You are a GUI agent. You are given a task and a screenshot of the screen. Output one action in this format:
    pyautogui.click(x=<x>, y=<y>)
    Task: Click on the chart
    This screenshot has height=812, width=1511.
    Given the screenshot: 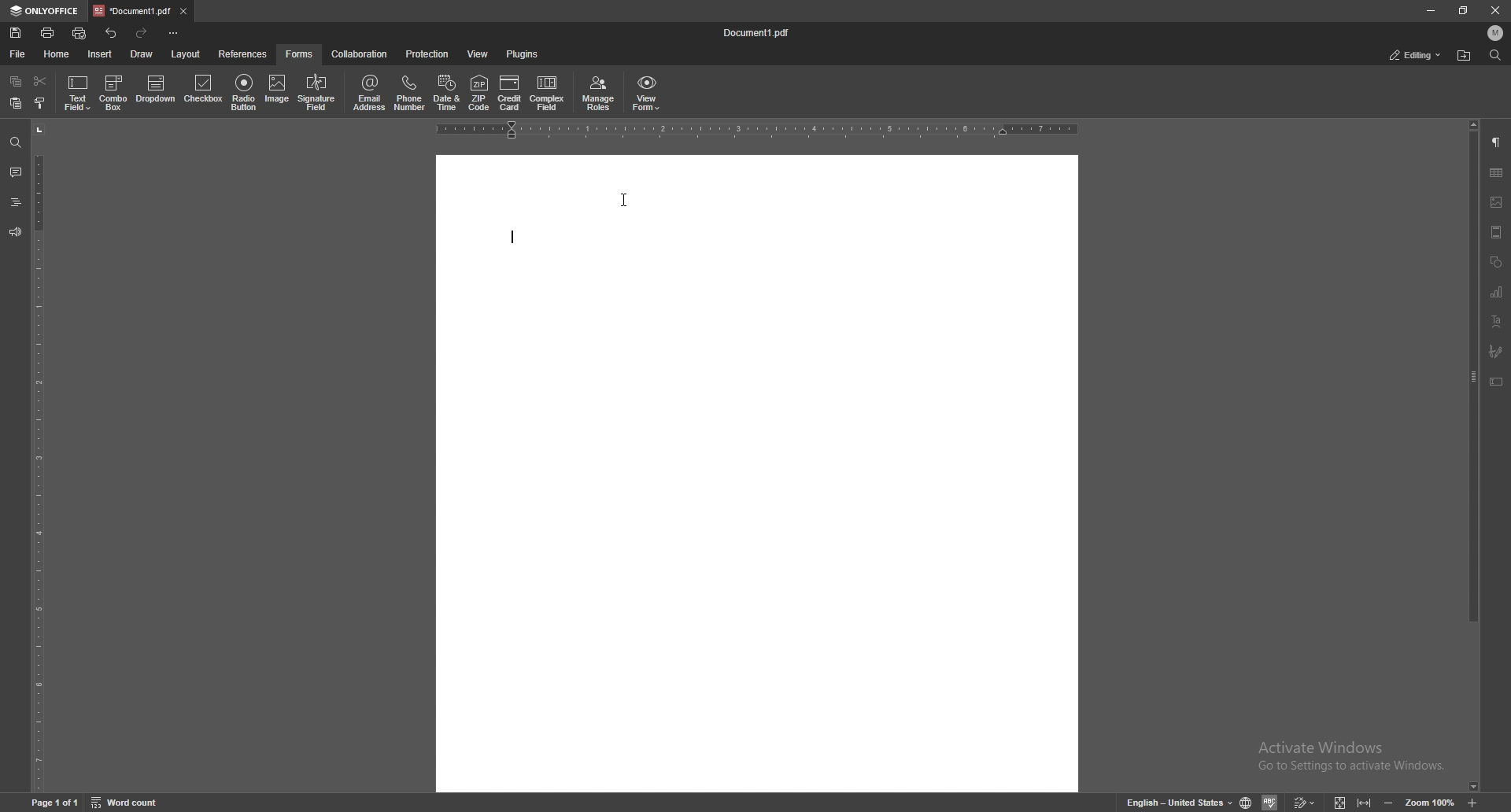 What is the action you would take?
    pyautogui.click(x=1498, y=291)
    